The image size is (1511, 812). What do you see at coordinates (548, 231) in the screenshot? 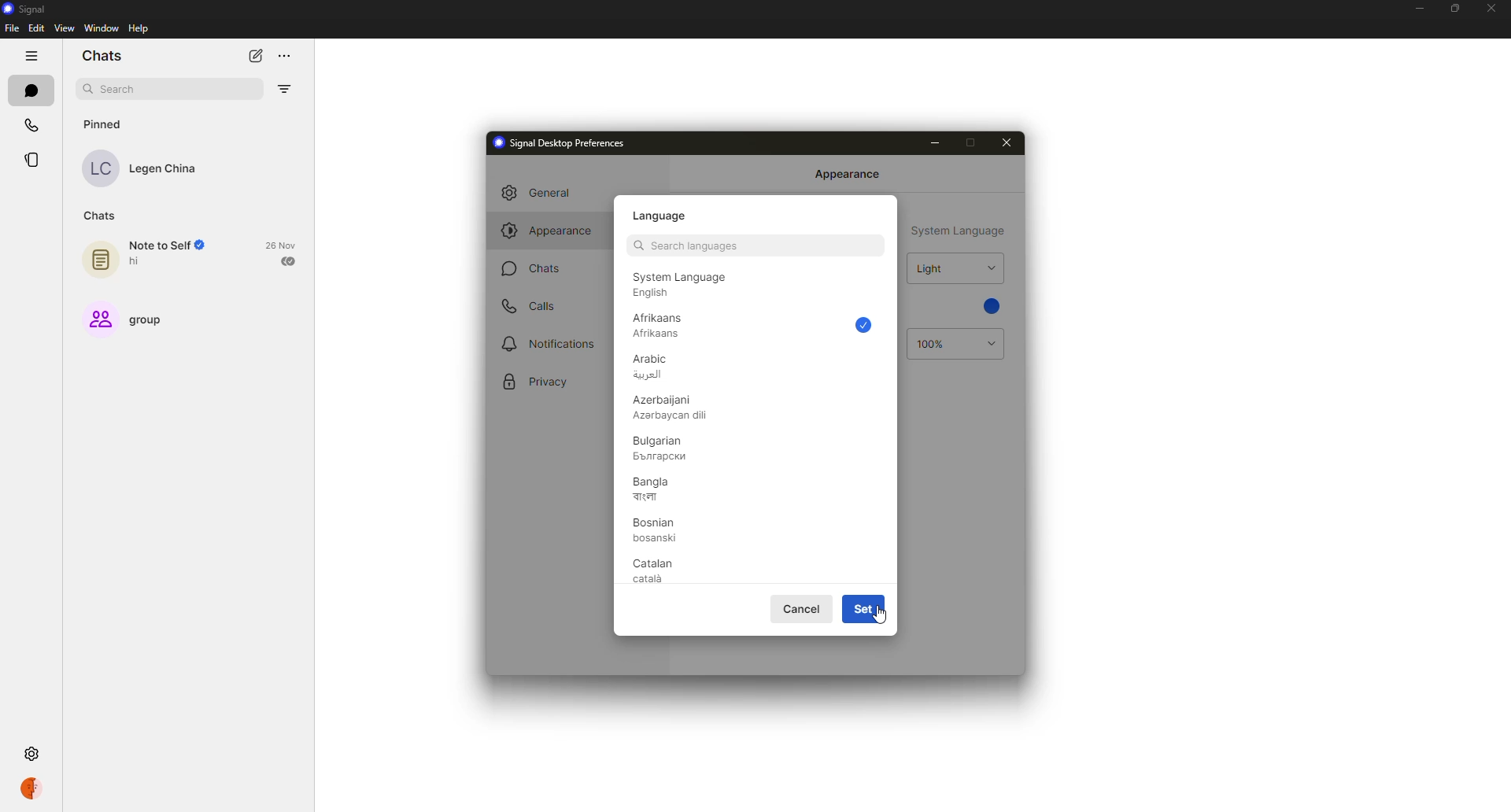
I see `appearance` at bounding box center [548, 231].